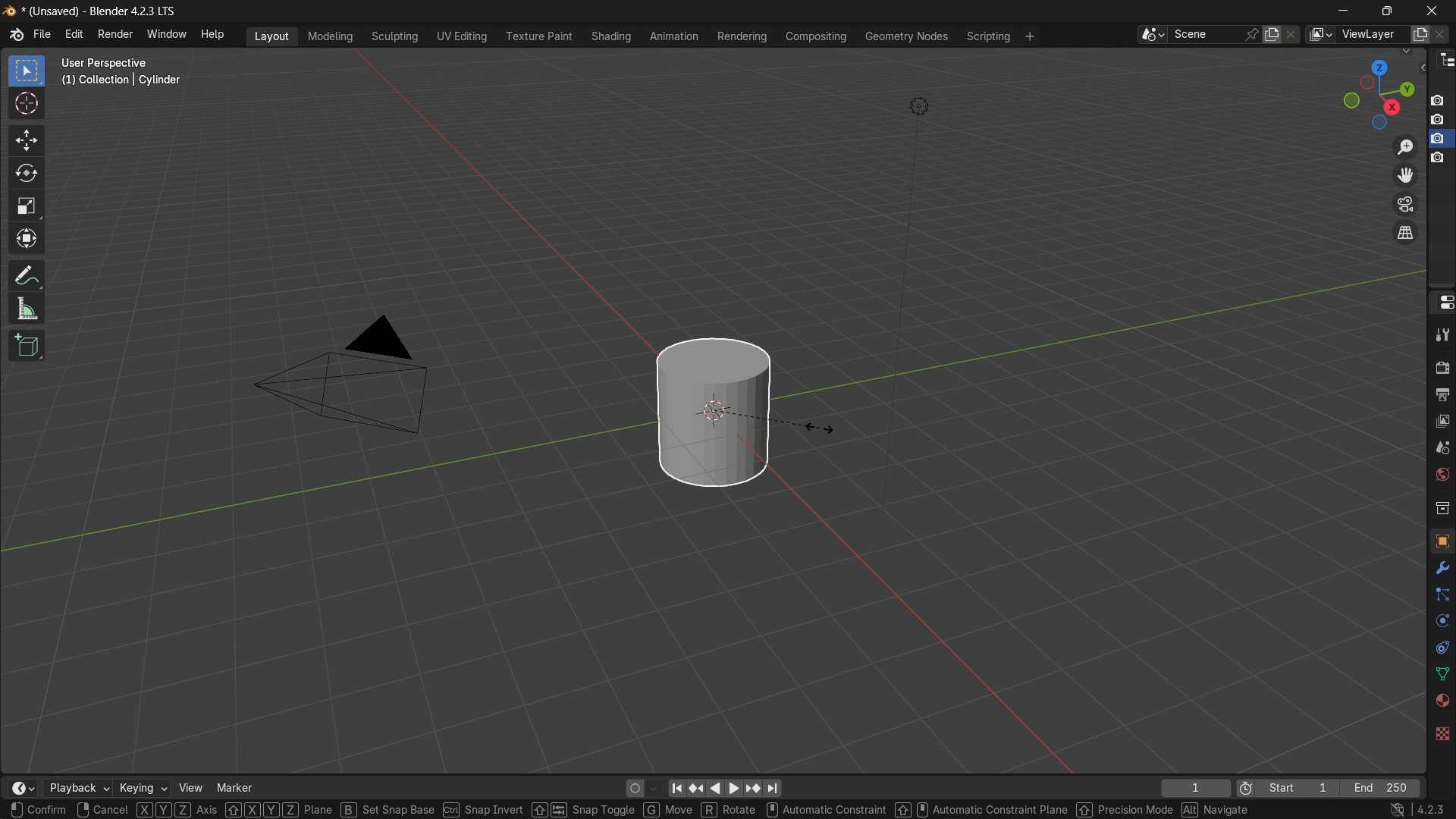 Image resolution: width=1456 pixels, height=819 pixels. What do you see at coordinates (538, 36) in the screenshot?
I see `texture paint` at bounding box center [538, 36].